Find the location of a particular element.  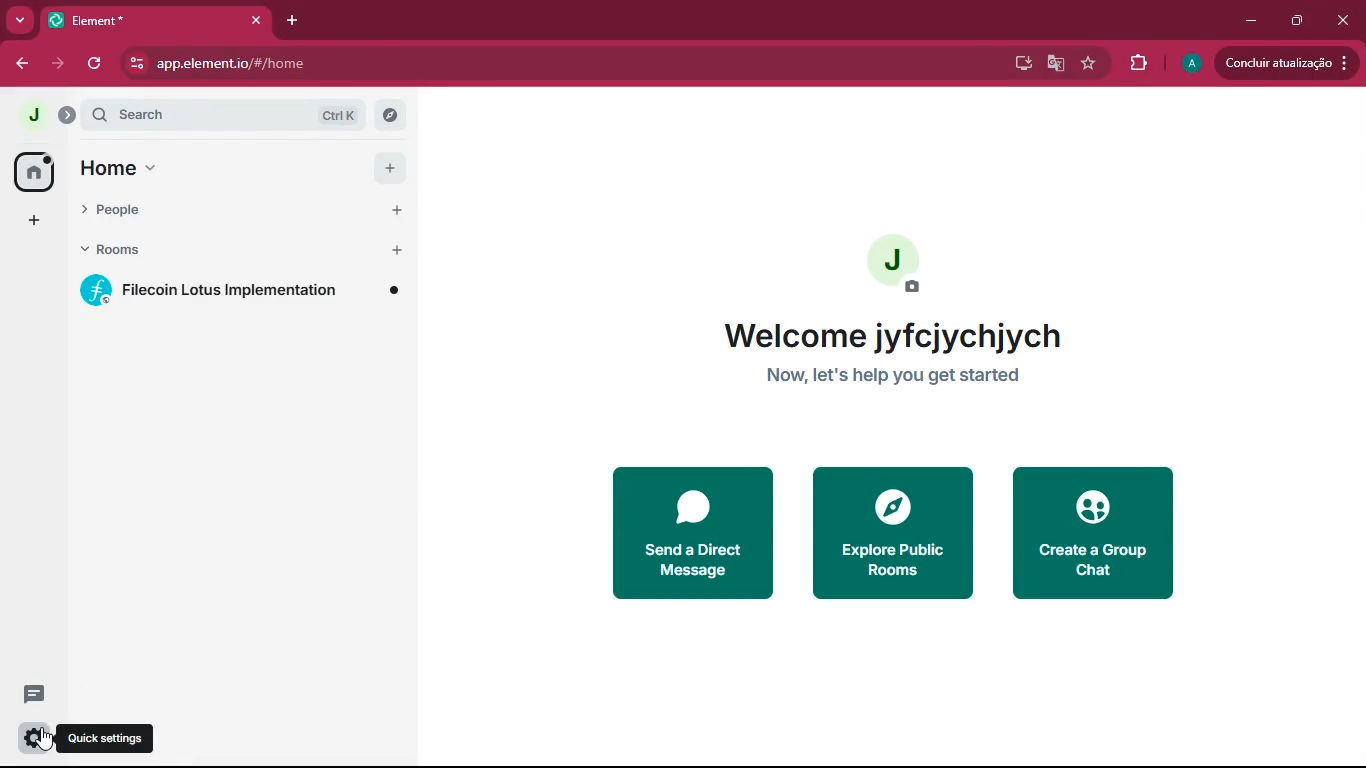

room is located at coordinates (247, 290).